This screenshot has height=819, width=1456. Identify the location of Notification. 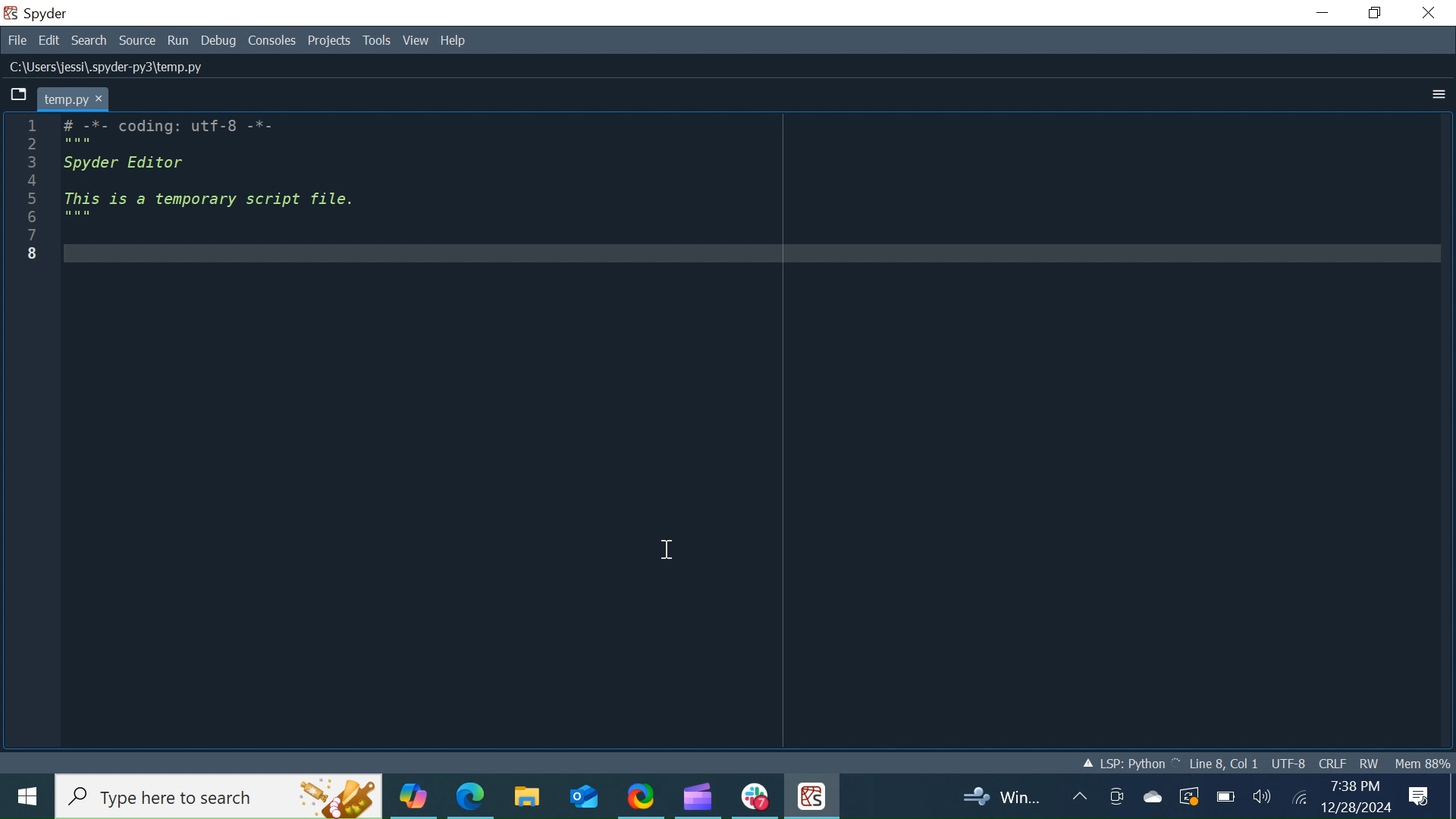
(1419, 796).